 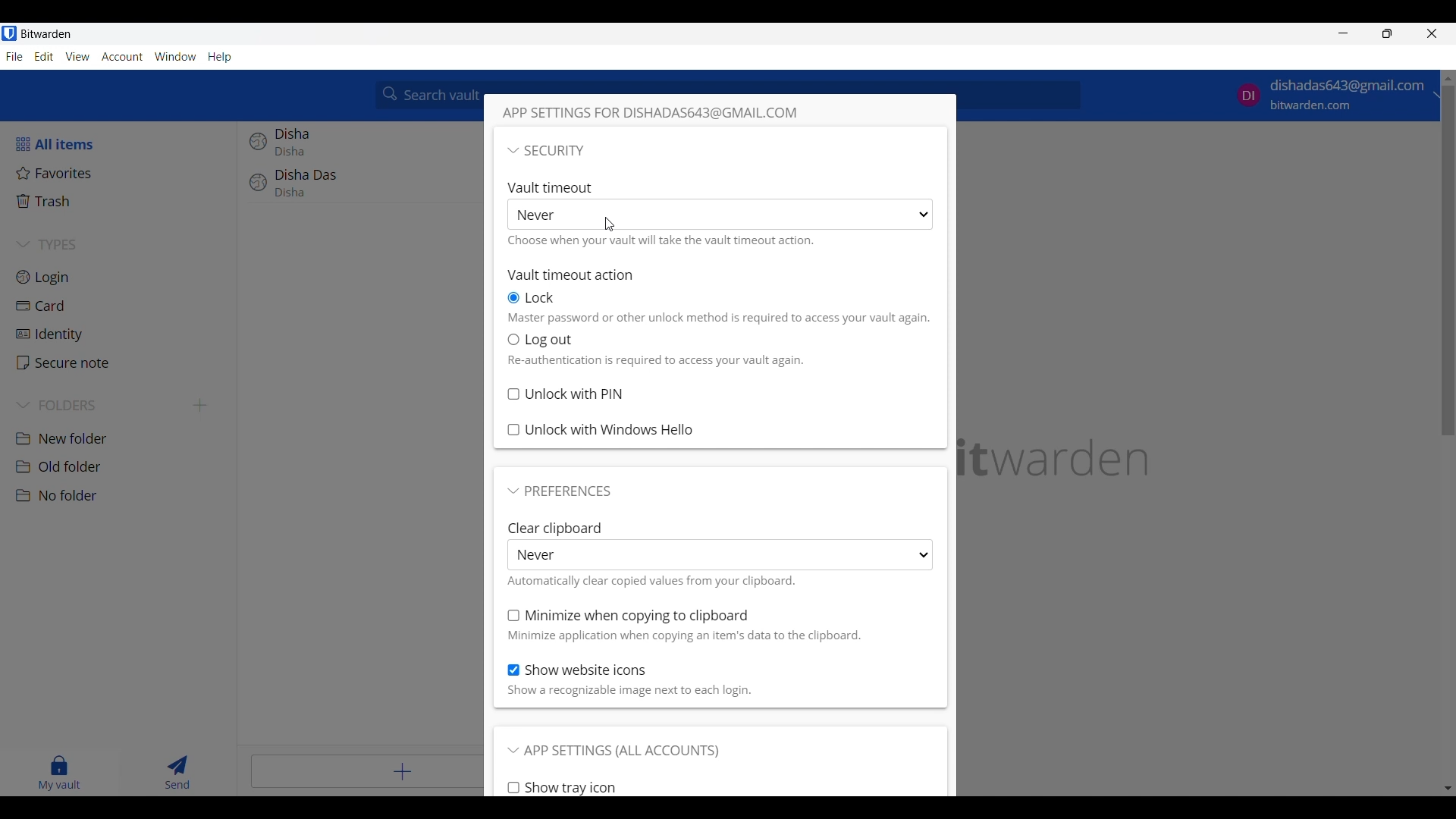 I want to click on Collapse Folders, so click(x=100, y=406).